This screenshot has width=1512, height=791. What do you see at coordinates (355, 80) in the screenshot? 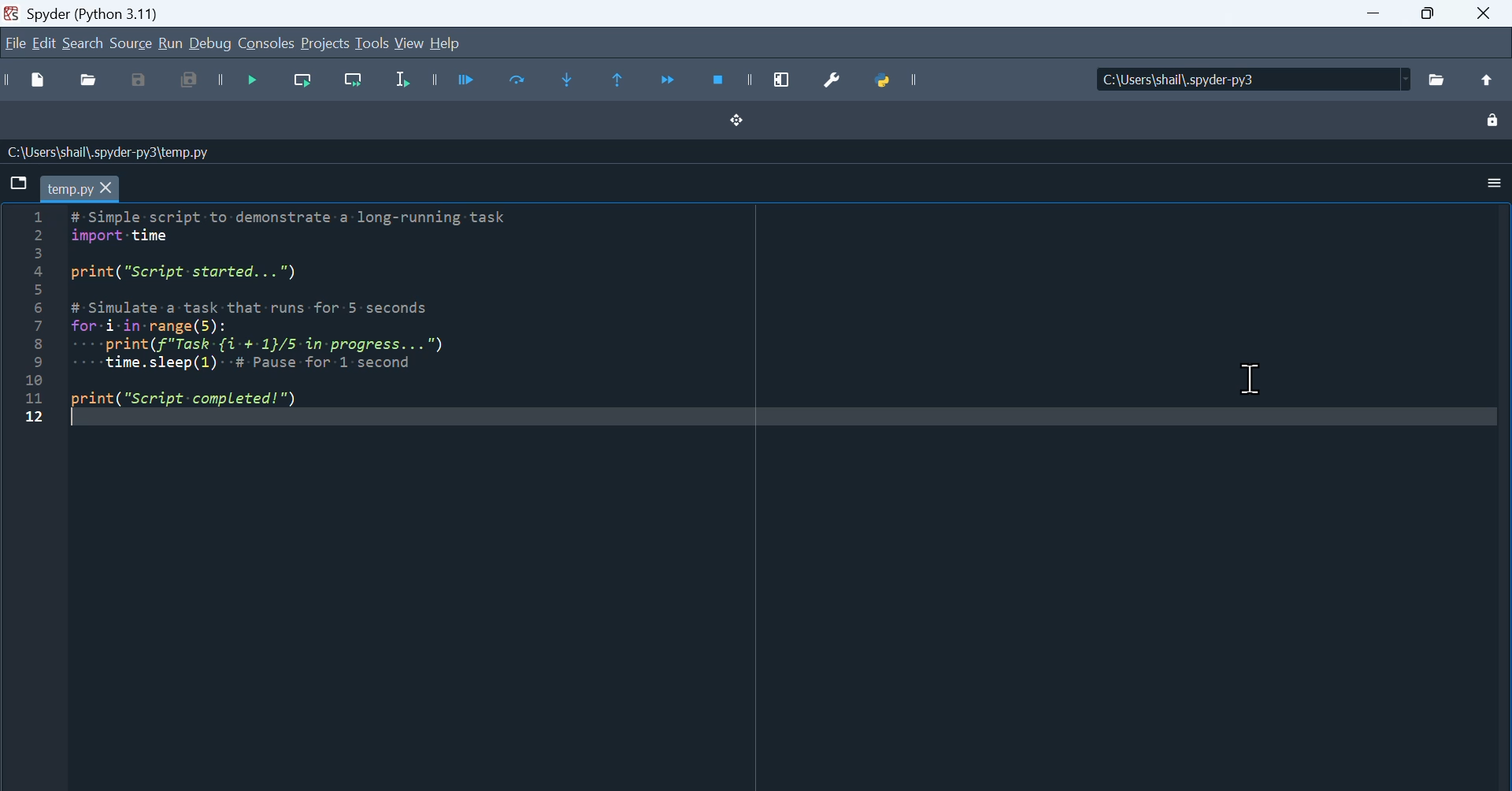
I see `Run current line and go to the next one` at bounding box center [355, 80].